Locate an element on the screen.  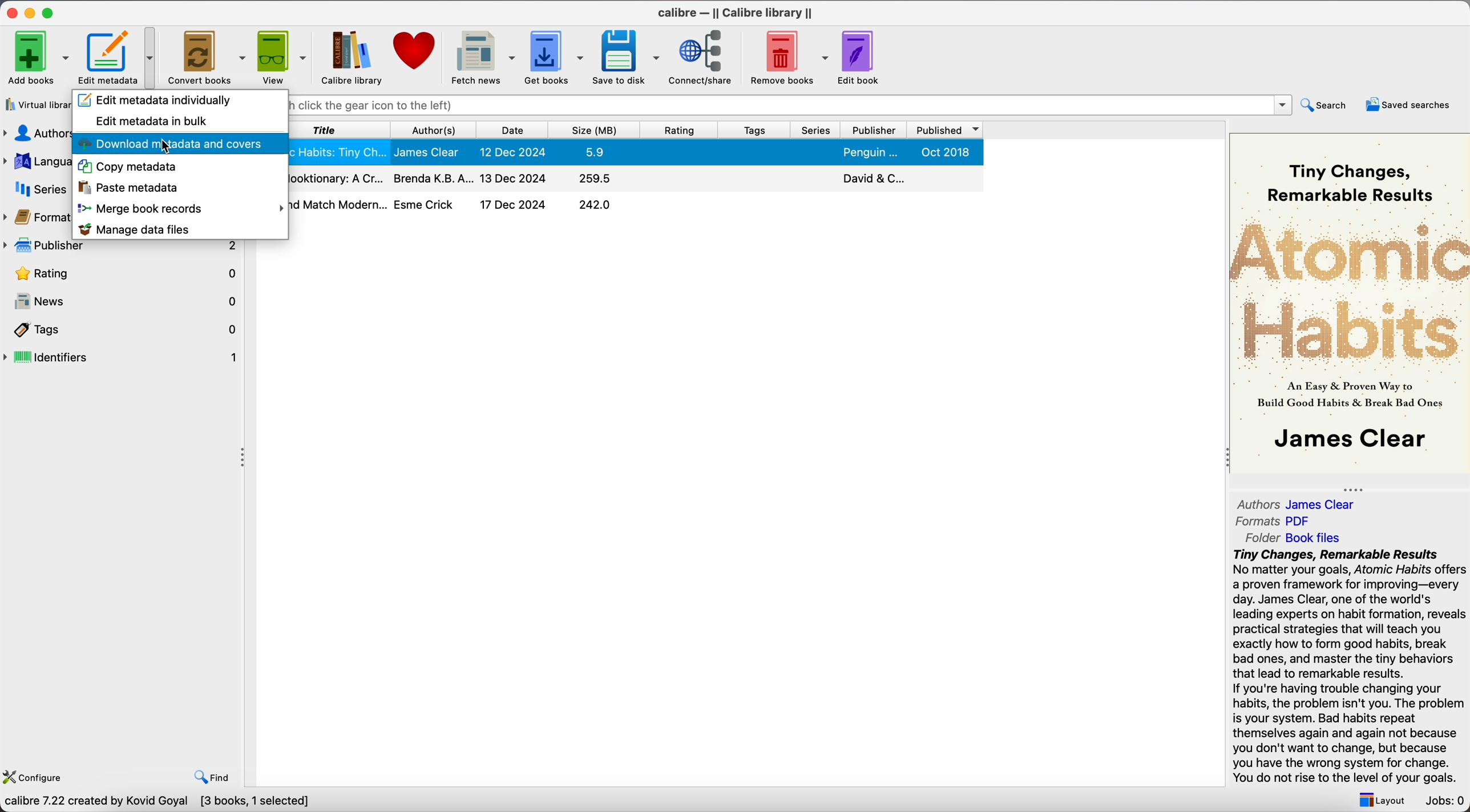
size is located at coordinates (595, 130).